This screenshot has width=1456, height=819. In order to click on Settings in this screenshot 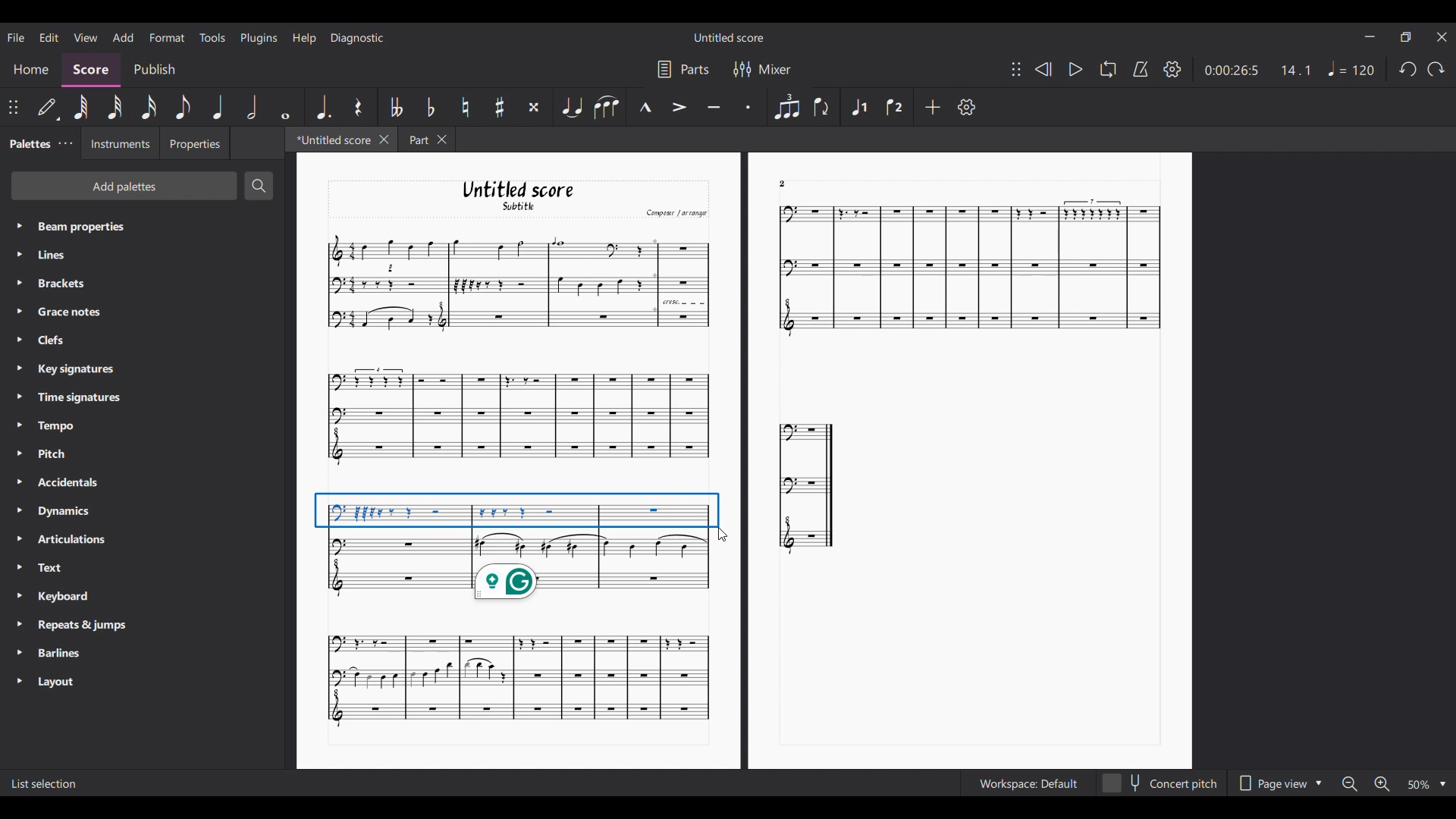, I will do `click(967, 107)`.